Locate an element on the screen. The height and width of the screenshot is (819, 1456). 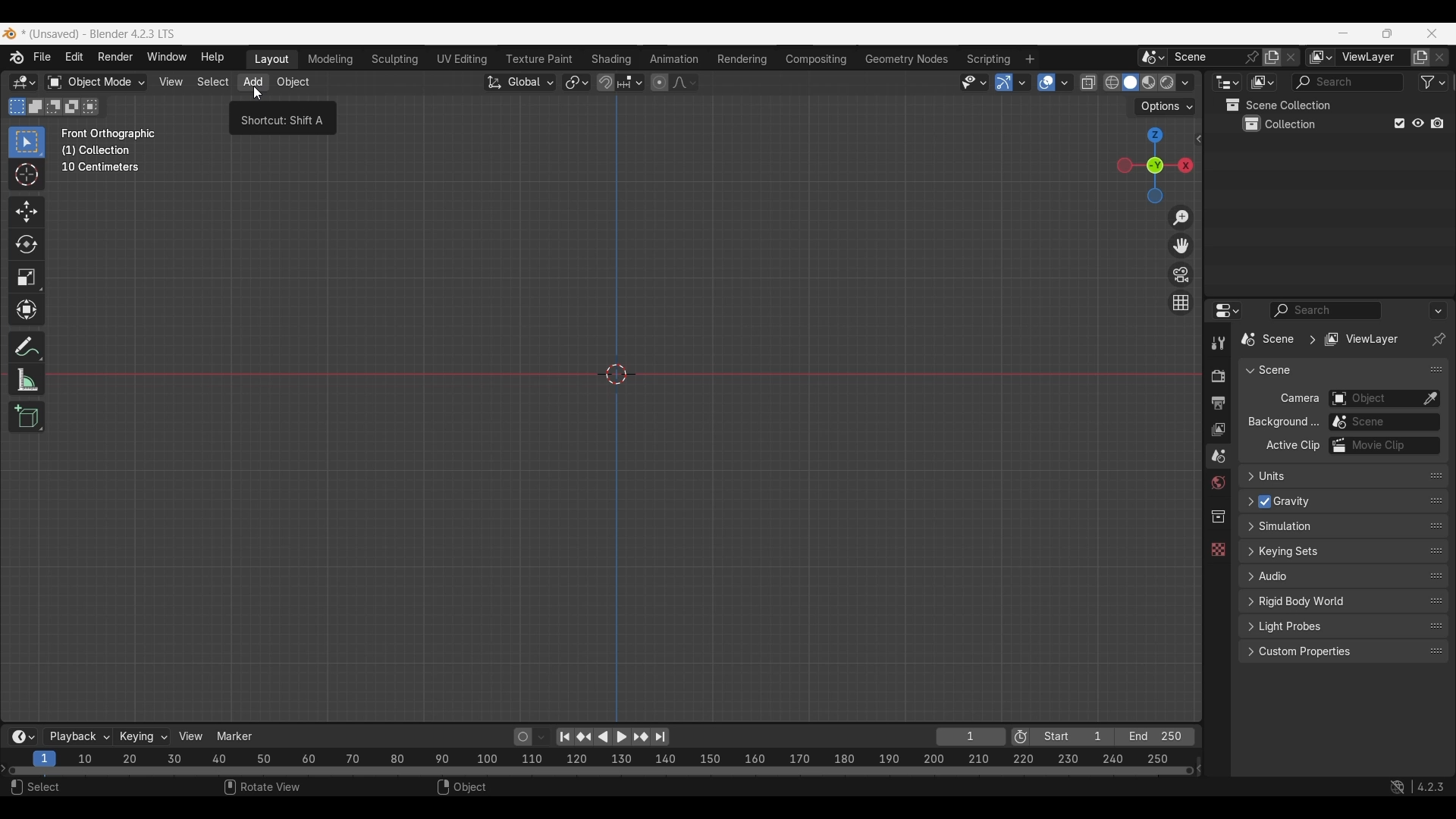
Click to expand is located at coordinates (1334, 500).